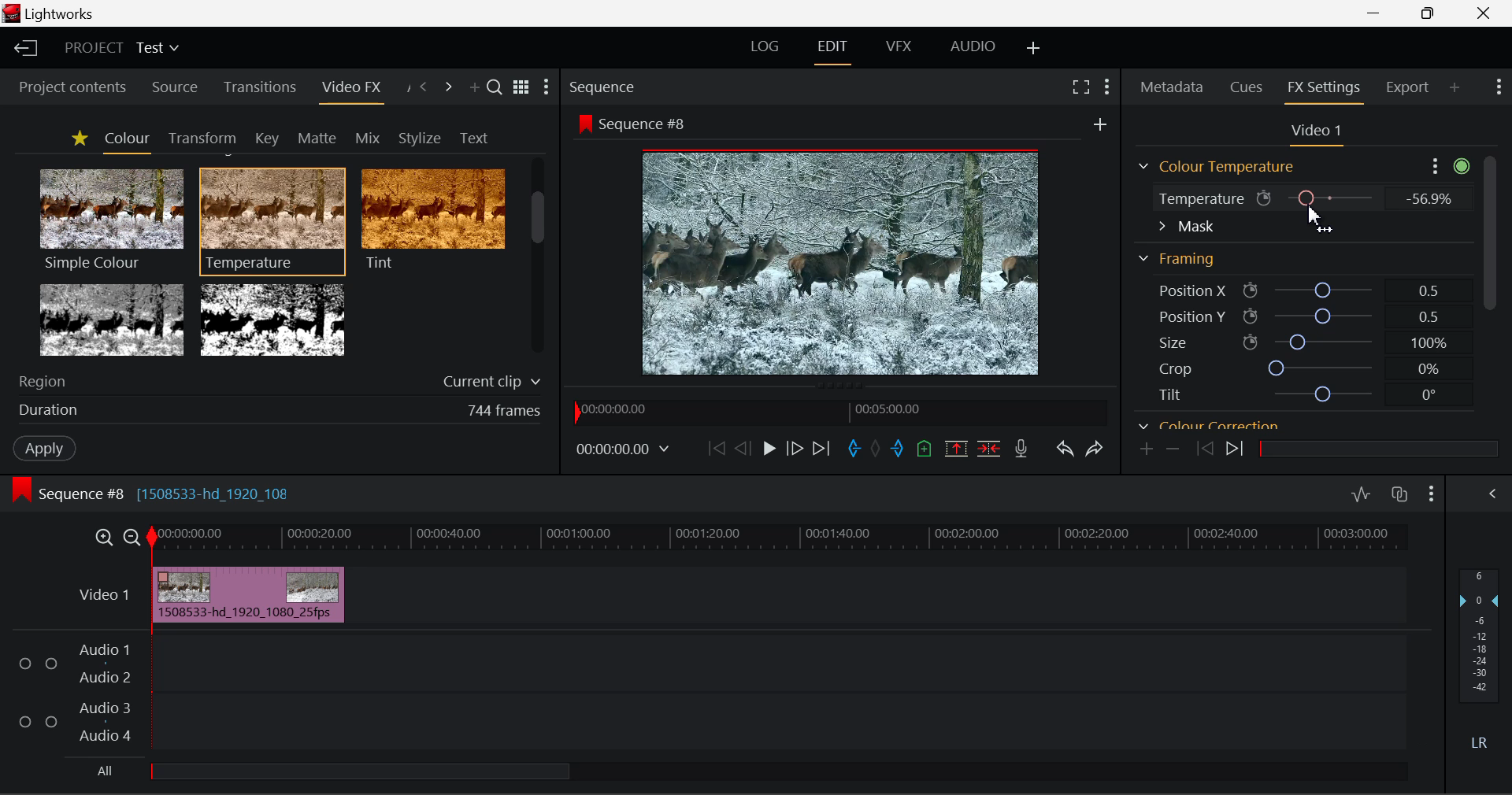  What do you see at coordinates (852, 449) in the screenshot?
I see `Mark In` at bounding box center [852, 449].